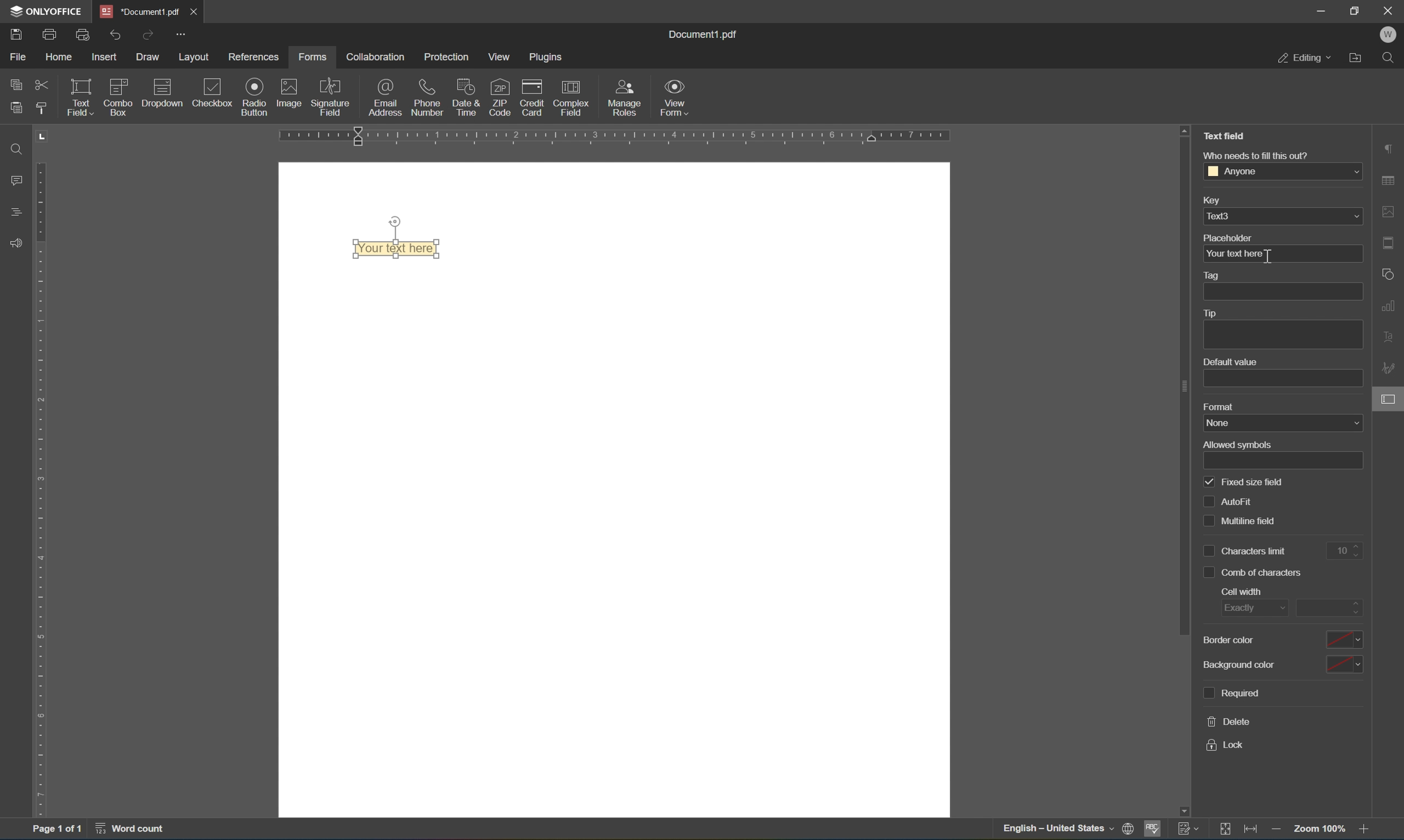 This screenshot has width=1404, height=840. Describe the element at coordinates (1235, 444) in the screenshot. I see `allowed symbols` at that location.